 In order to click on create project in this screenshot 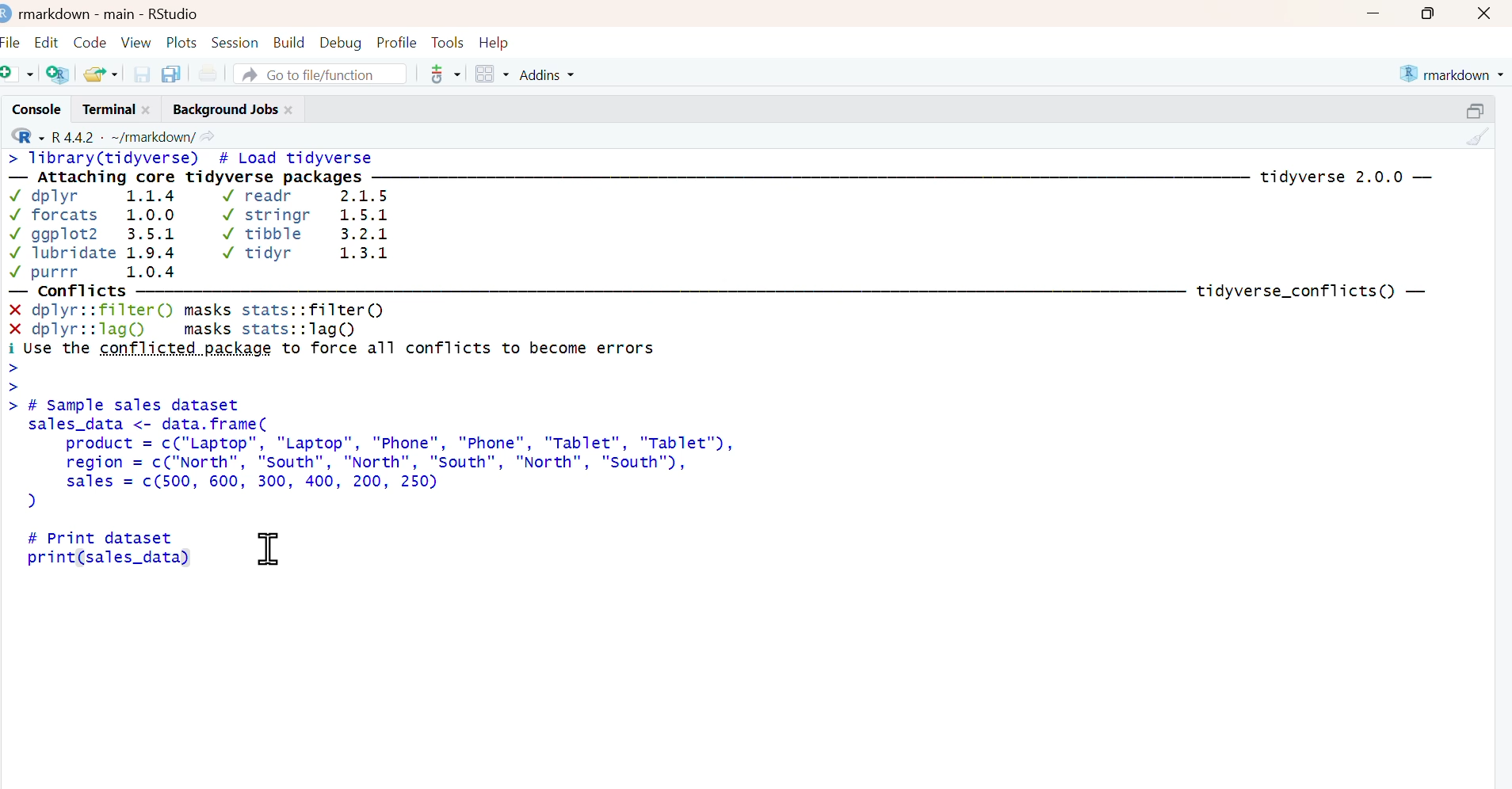, I will do `click(57, 74)`.